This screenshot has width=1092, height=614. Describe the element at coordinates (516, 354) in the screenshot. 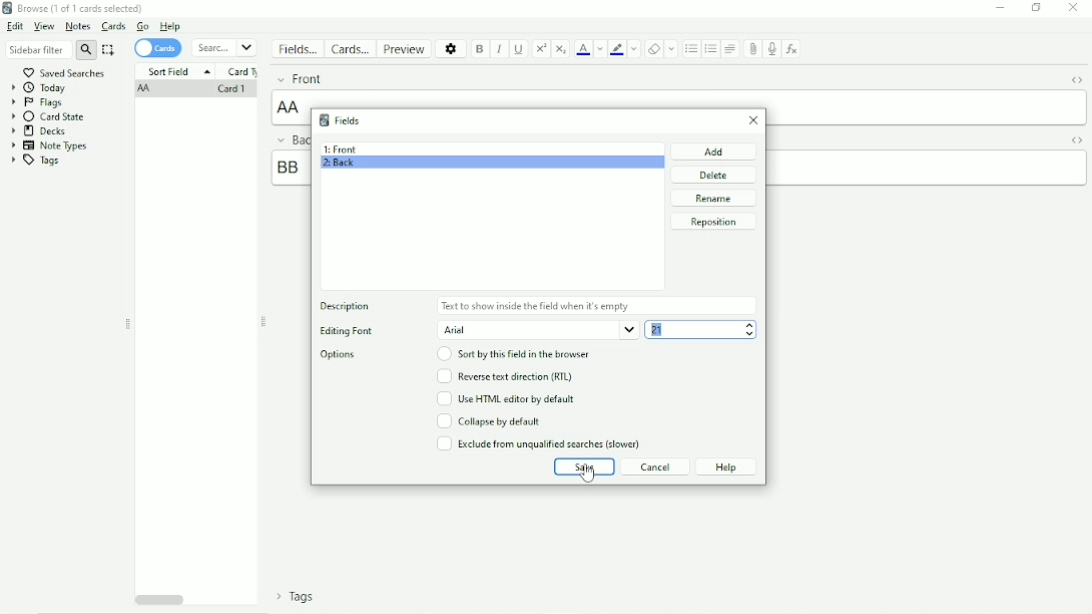

I see `Sort by this field in the browser` at that location.